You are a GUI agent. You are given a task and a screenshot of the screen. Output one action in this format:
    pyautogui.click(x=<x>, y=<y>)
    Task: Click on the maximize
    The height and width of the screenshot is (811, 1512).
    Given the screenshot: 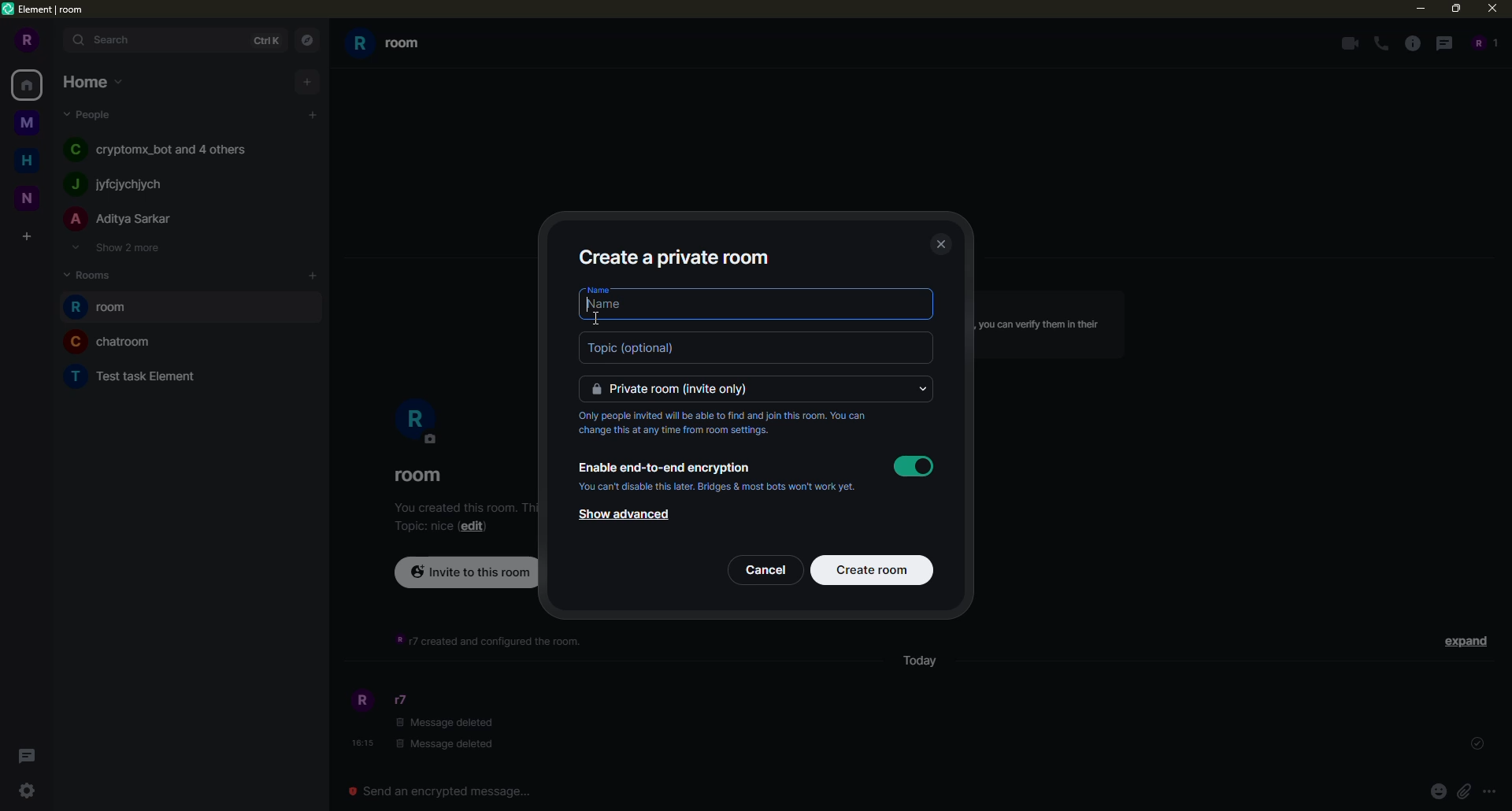 What is the action you would take?
    pyautogui.click(x=1453, y=9)
    